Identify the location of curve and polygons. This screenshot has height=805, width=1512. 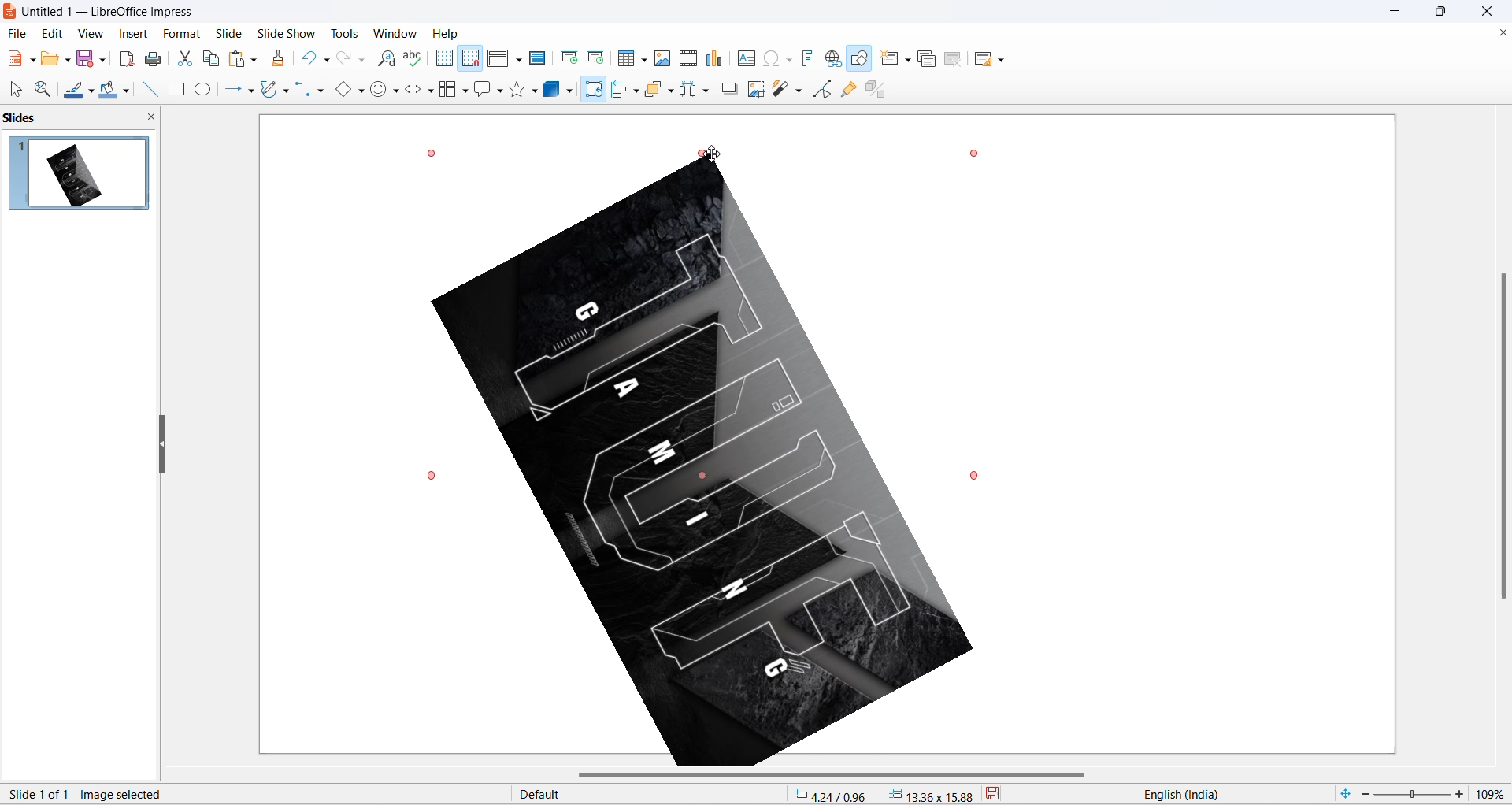
(286, 92).